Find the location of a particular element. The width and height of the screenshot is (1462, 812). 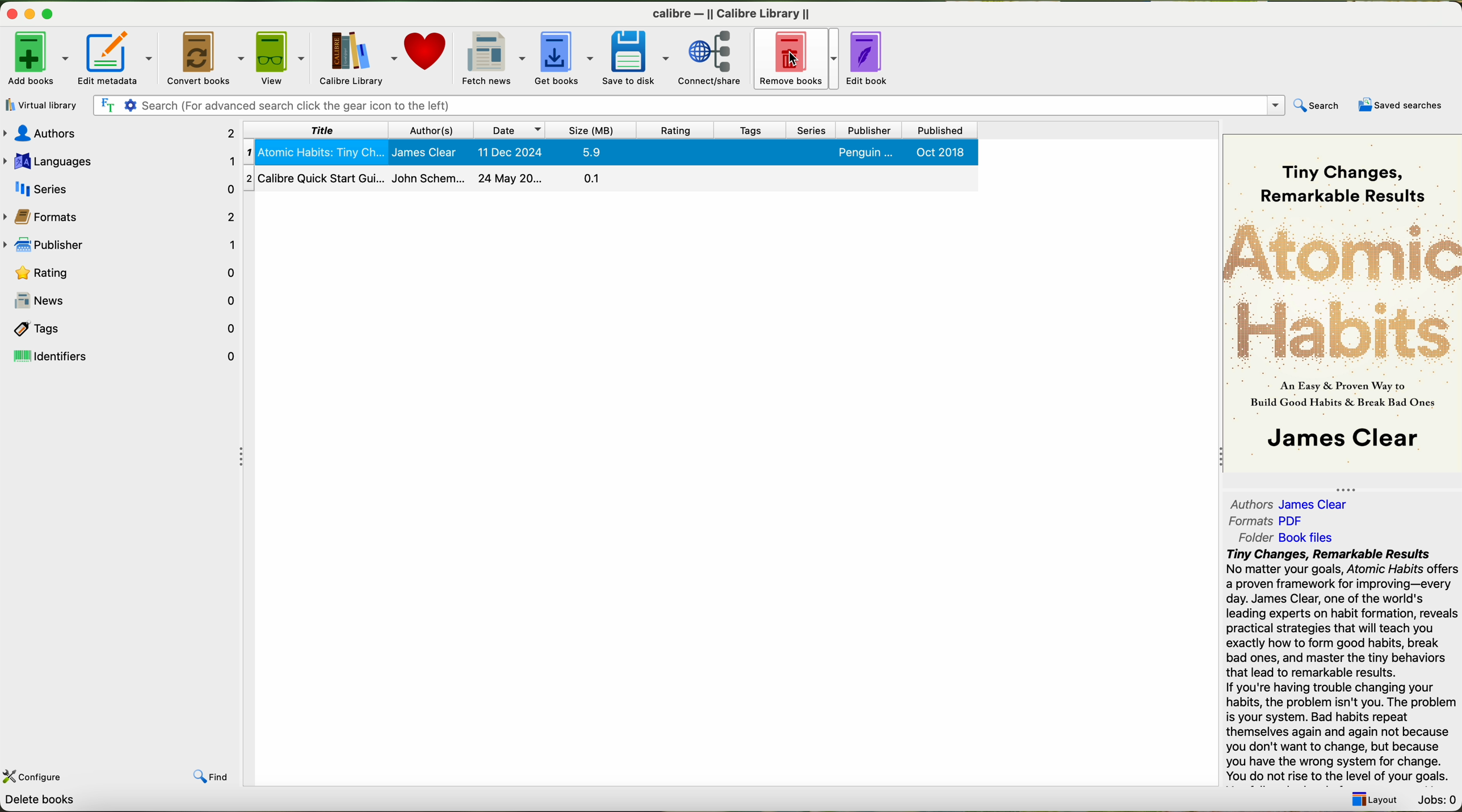

rating is located at coordinates (124, 272).